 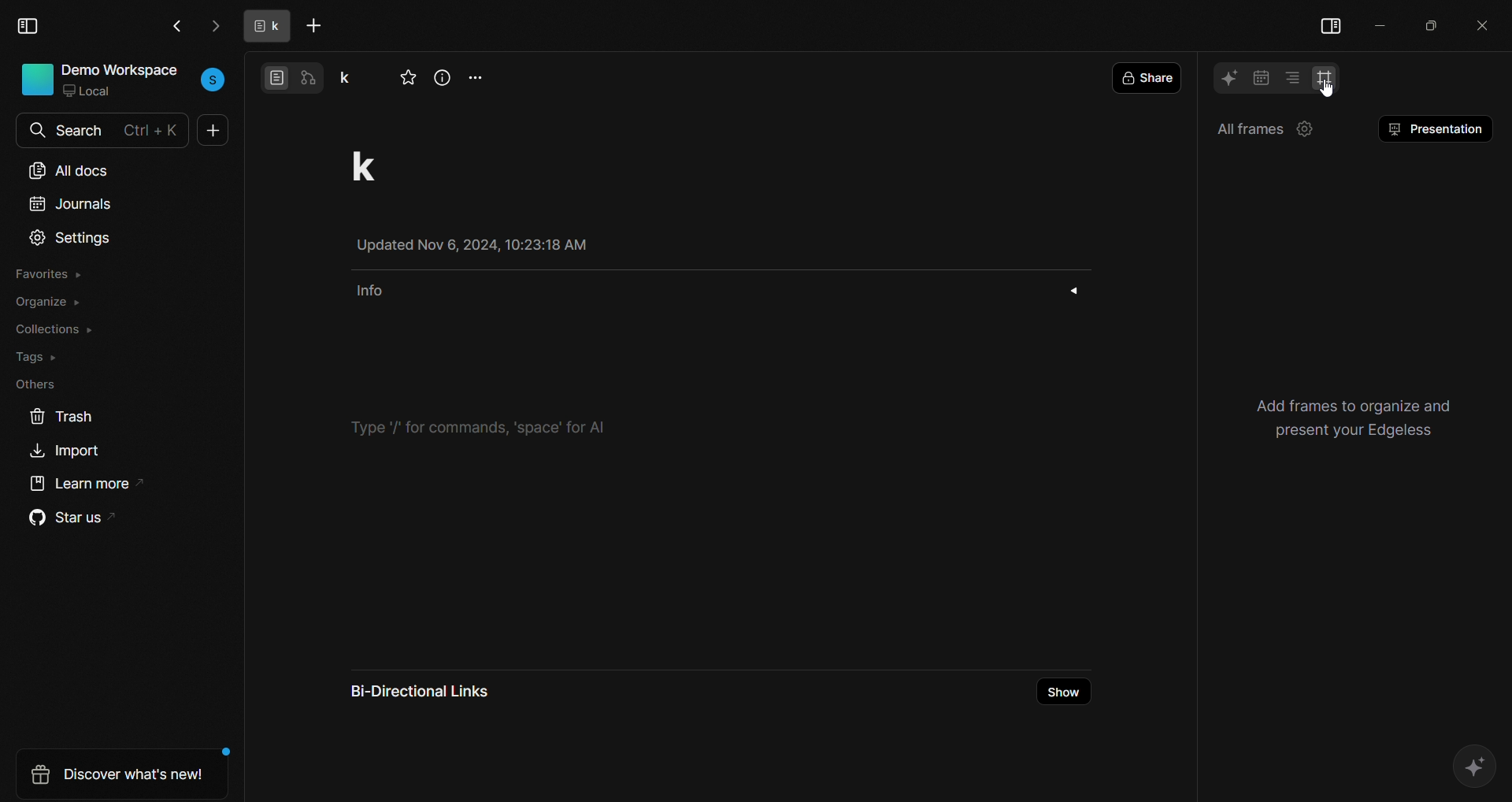 What do you see at coordinates (1326, 77) in the screenshot?
I see `frame` at bounding box center [1326, 77].